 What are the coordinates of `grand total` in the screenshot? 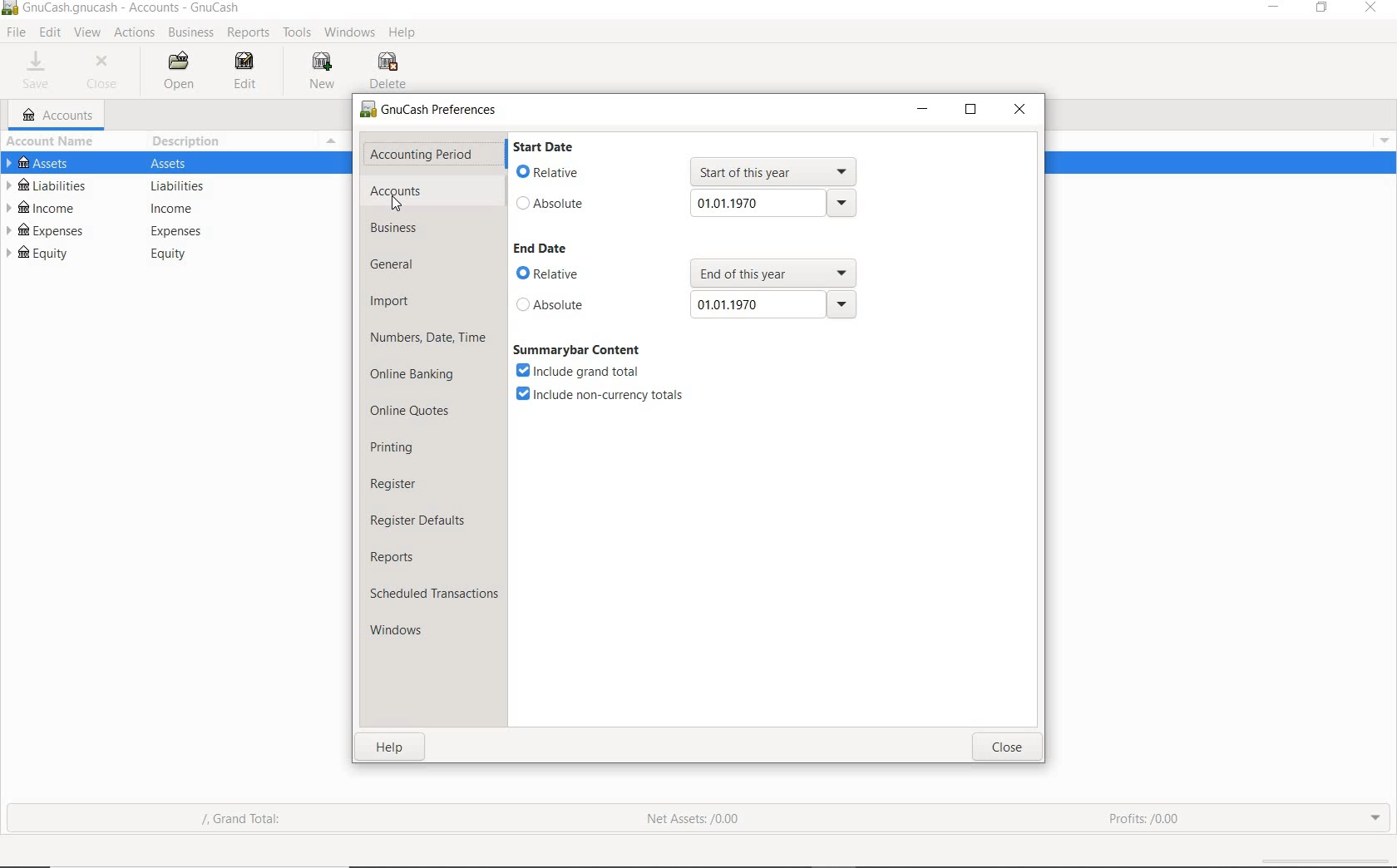 It's located at (253, 821).